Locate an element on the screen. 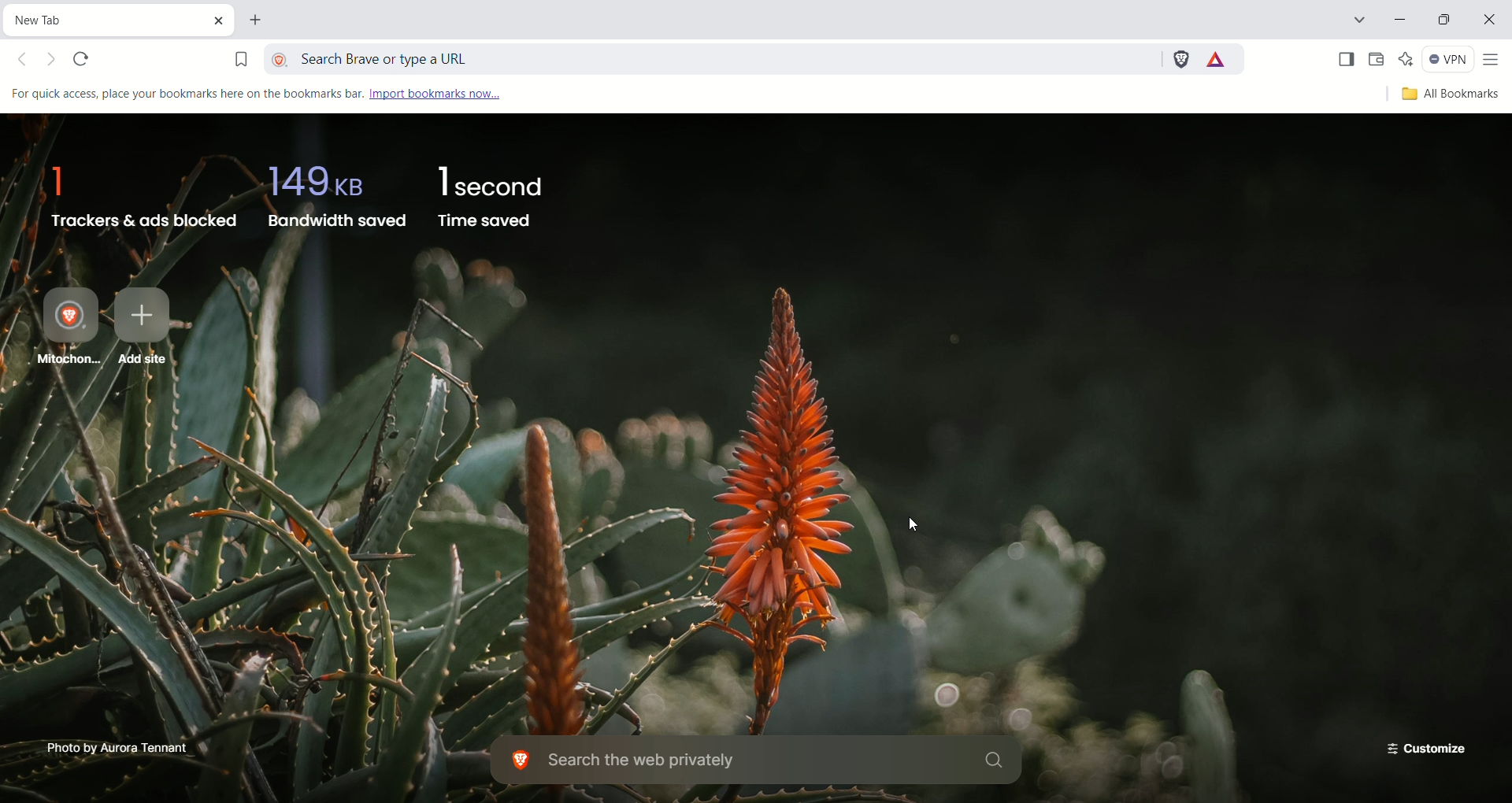  search the web privately is located at coordinates (760, 761).